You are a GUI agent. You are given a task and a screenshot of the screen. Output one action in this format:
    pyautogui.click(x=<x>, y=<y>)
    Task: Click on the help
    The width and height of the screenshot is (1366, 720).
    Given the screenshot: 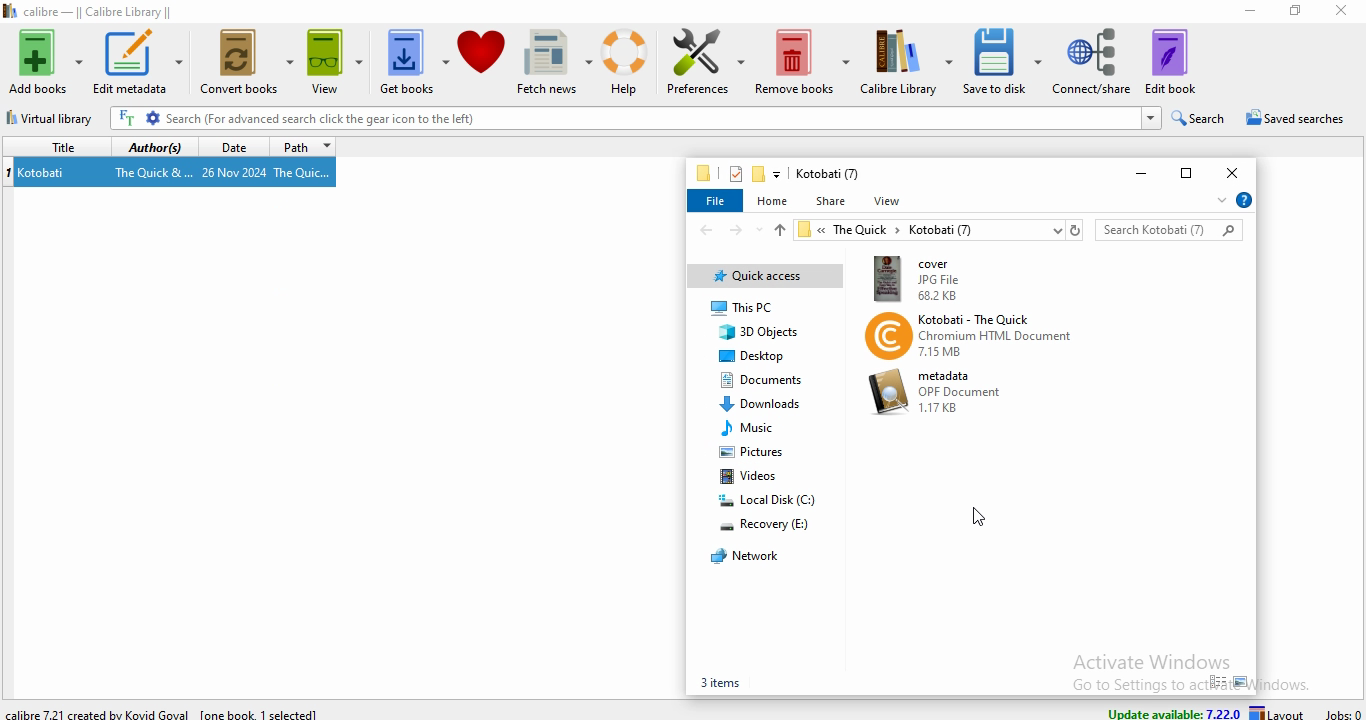 What is the action you would take?
    pyautogui.click(x=1243, y=200)
    